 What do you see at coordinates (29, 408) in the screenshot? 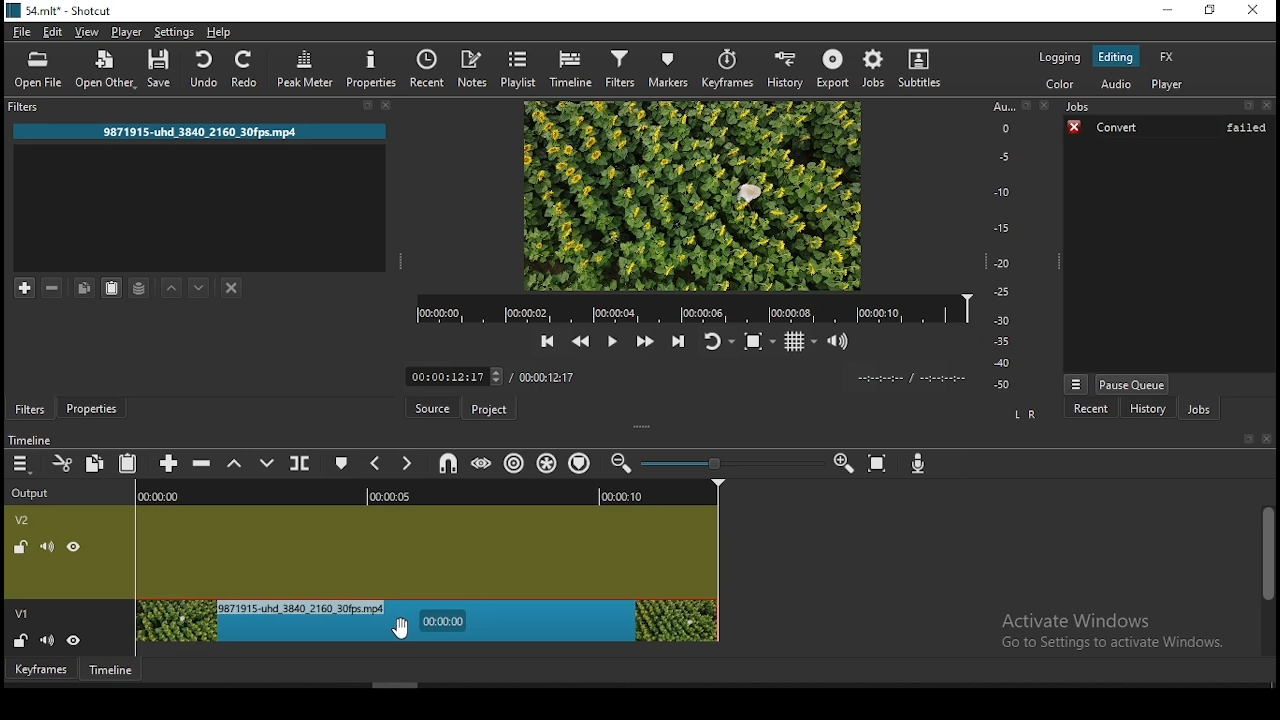
I see `filters` at bounding box center [29, 408].